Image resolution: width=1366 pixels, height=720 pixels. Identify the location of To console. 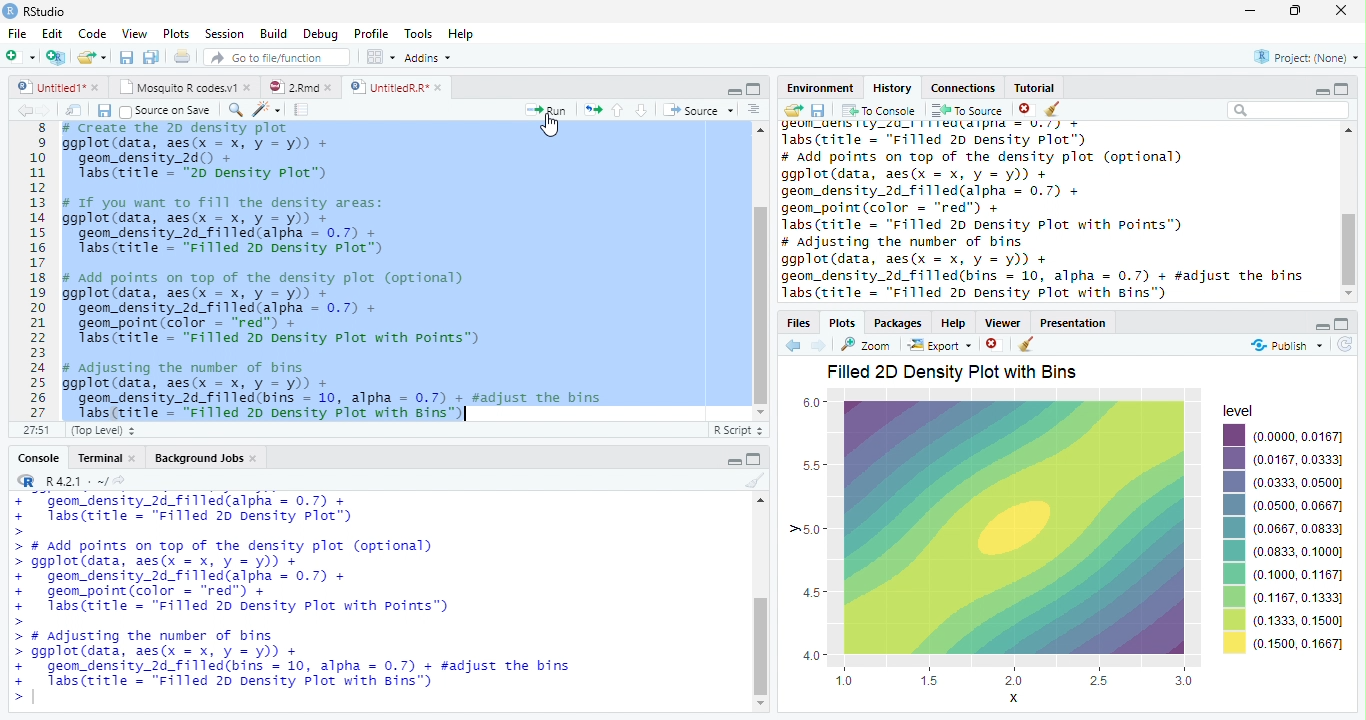
(880, 110).